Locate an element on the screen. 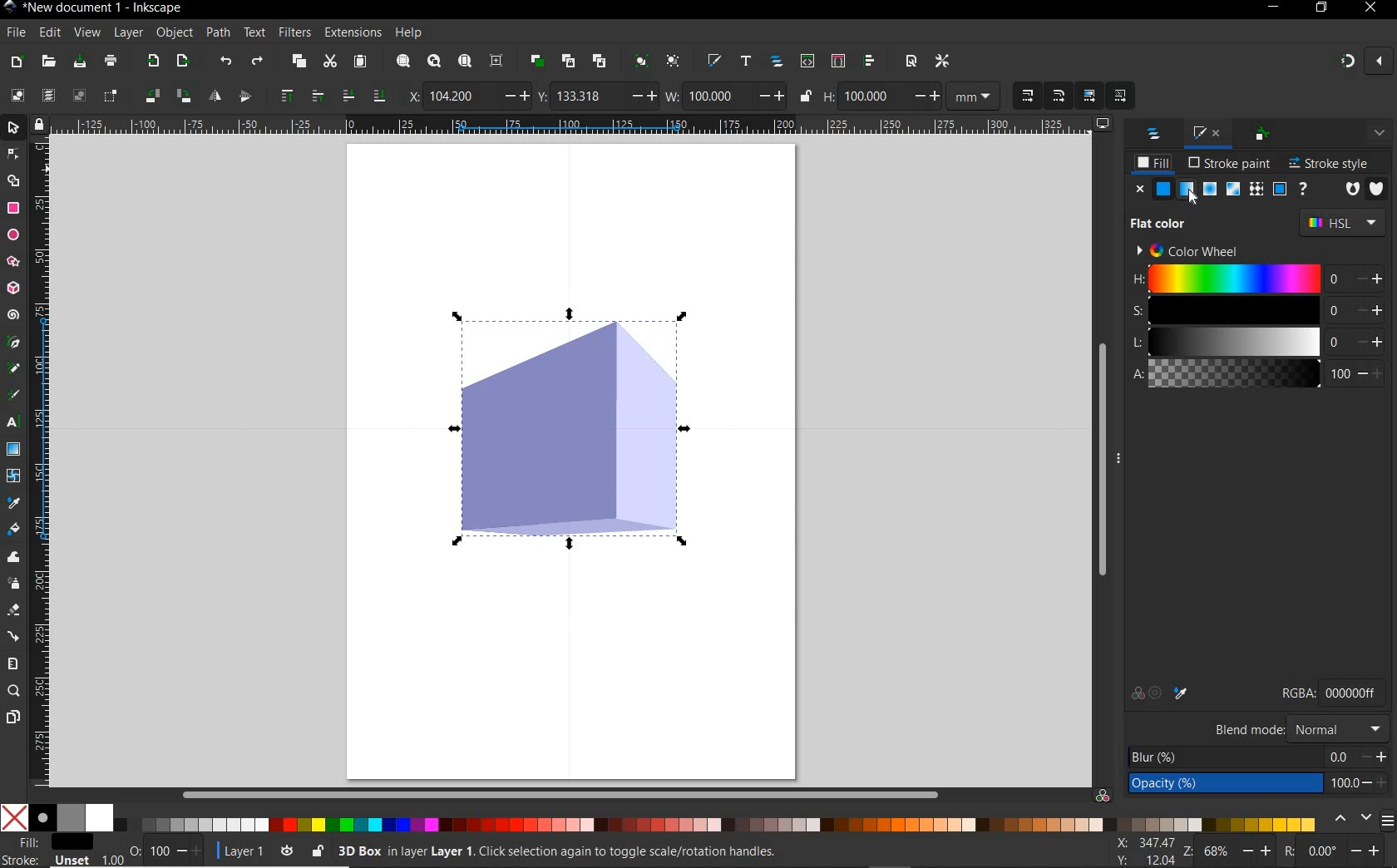 The width and height of the screenshot is (1397, 868). RECTANGLE TOOL is located at coordinates (13, 209).